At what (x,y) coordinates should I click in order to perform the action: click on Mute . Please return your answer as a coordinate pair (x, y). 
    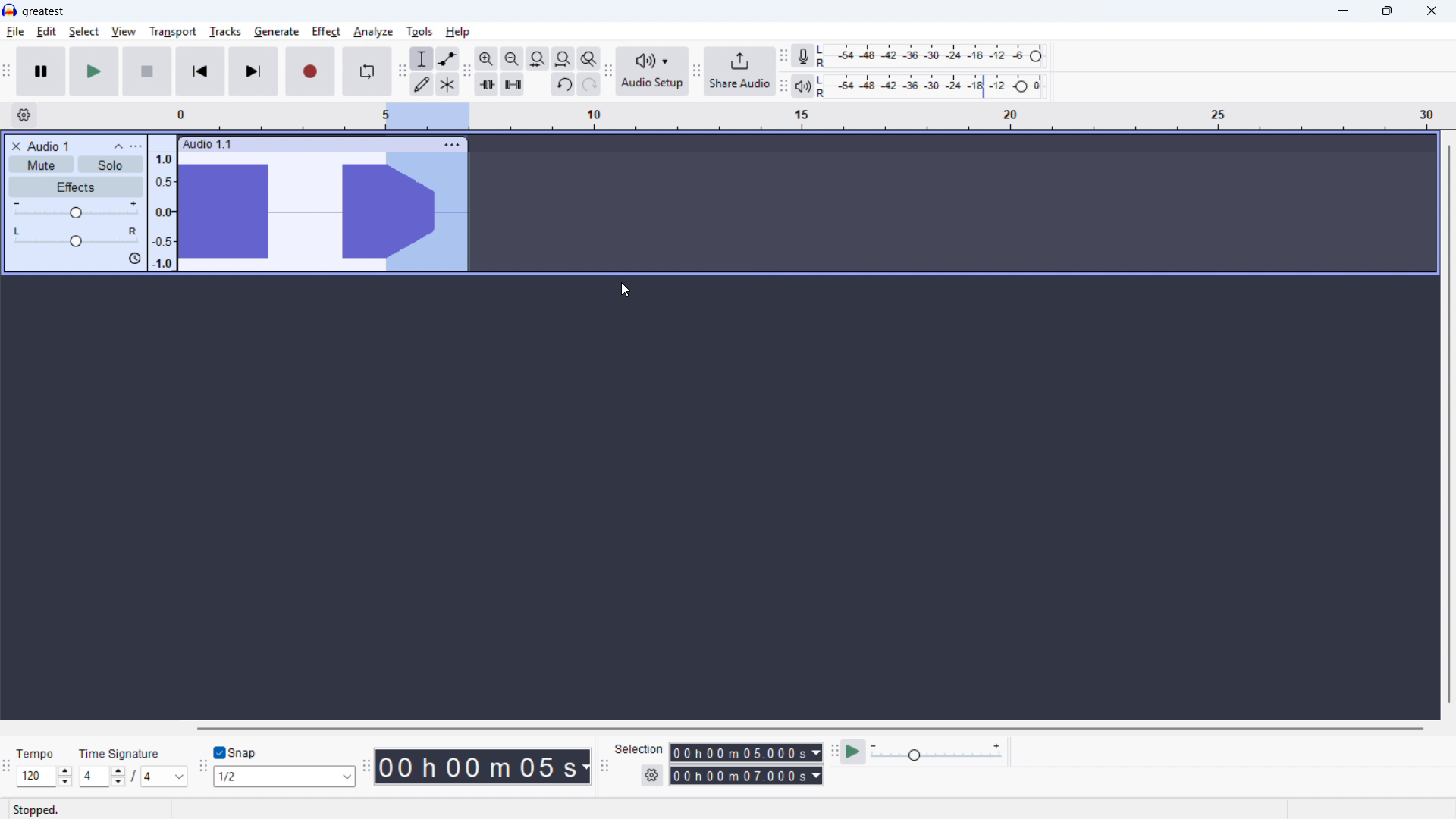
    Looking at the image, I should click on (41, 164).